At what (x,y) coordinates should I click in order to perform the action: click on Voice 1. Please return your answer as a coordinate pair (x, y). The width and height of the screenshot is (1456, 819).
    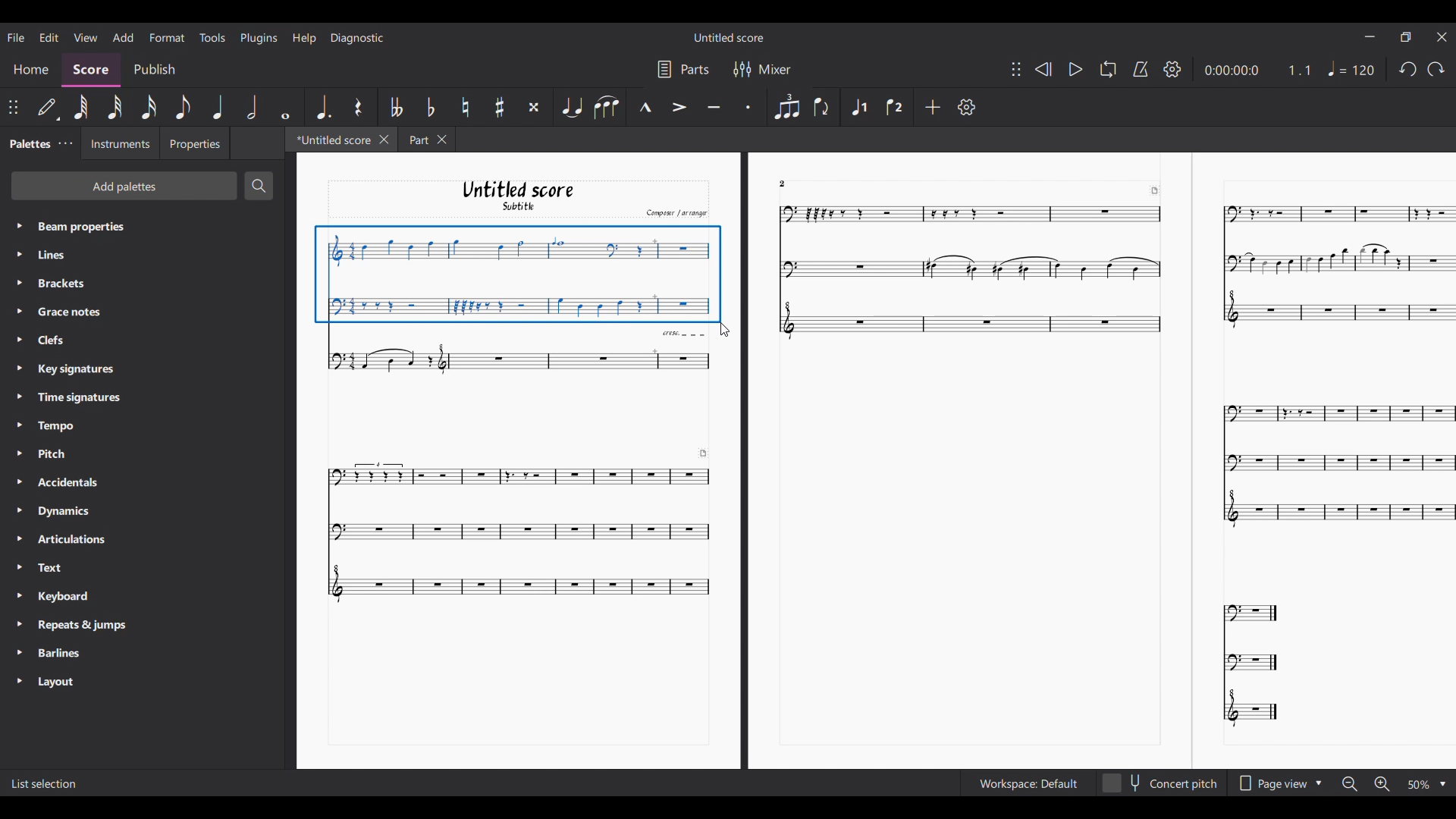
    Looking at the image, I should click on (859, 105).